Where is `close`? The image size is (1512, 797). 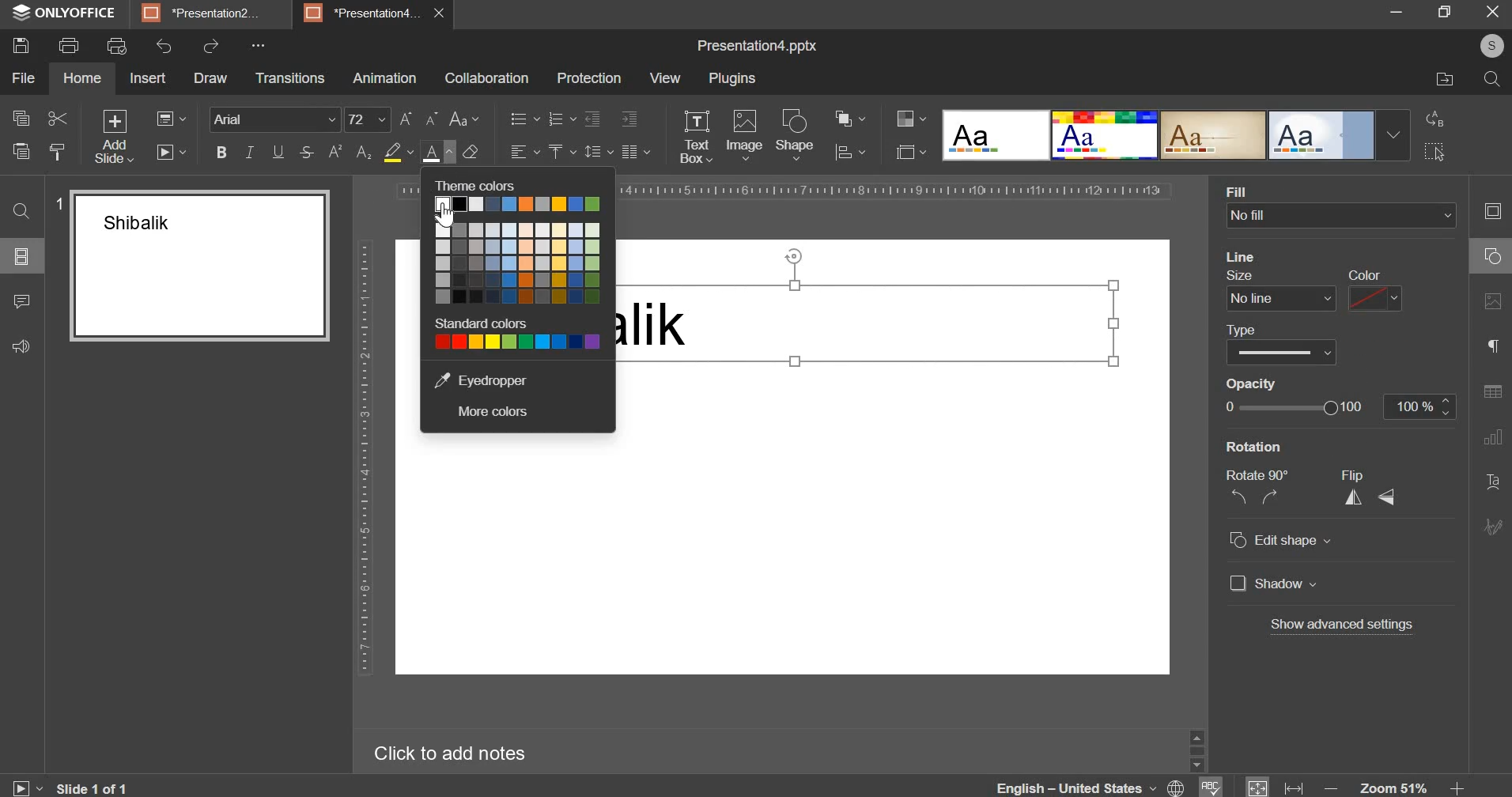
close is located at coordinates (446, 17).